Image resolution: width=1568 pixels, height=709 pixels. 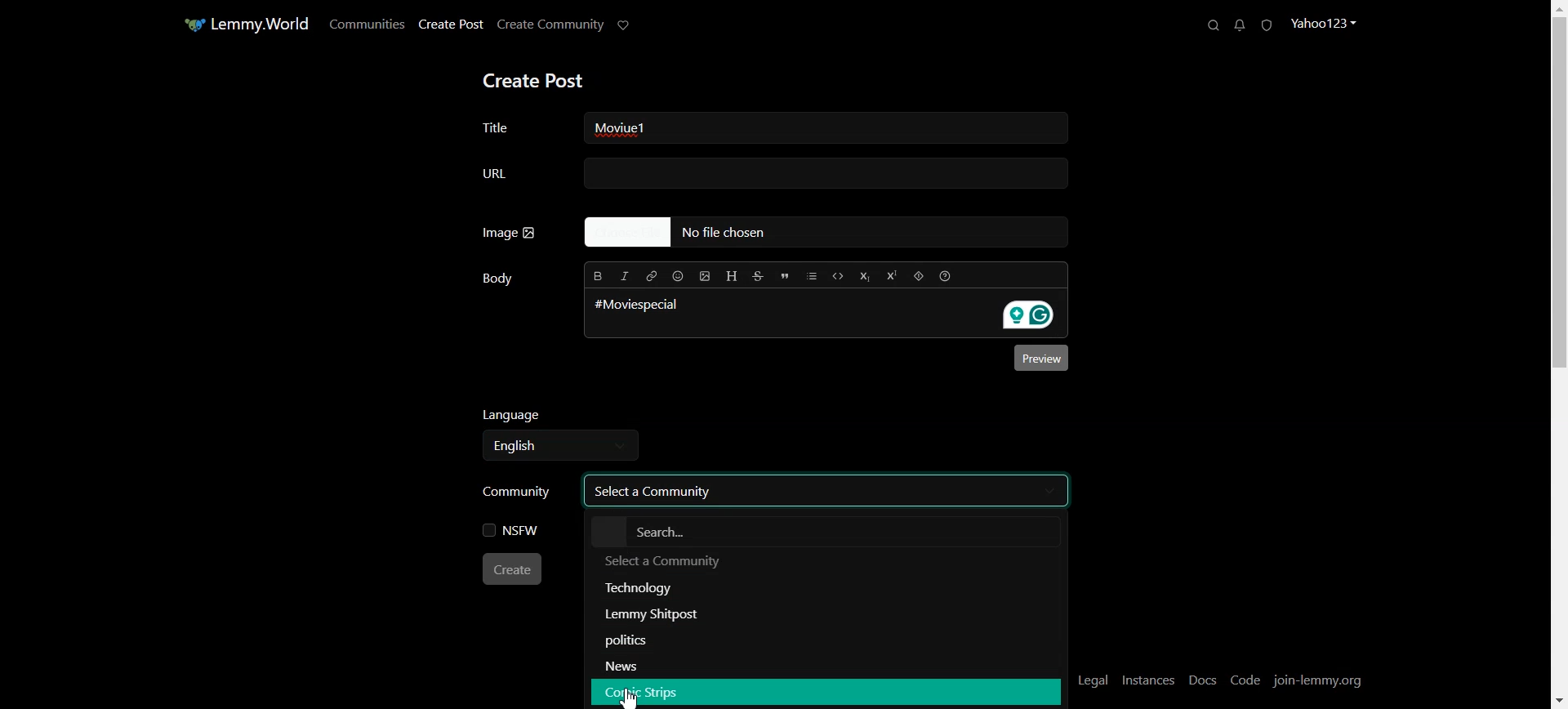 What do you see at coordinates (651, 692) in the screenshot?
I see `Comic Strips` at bounding box center [651, 692].